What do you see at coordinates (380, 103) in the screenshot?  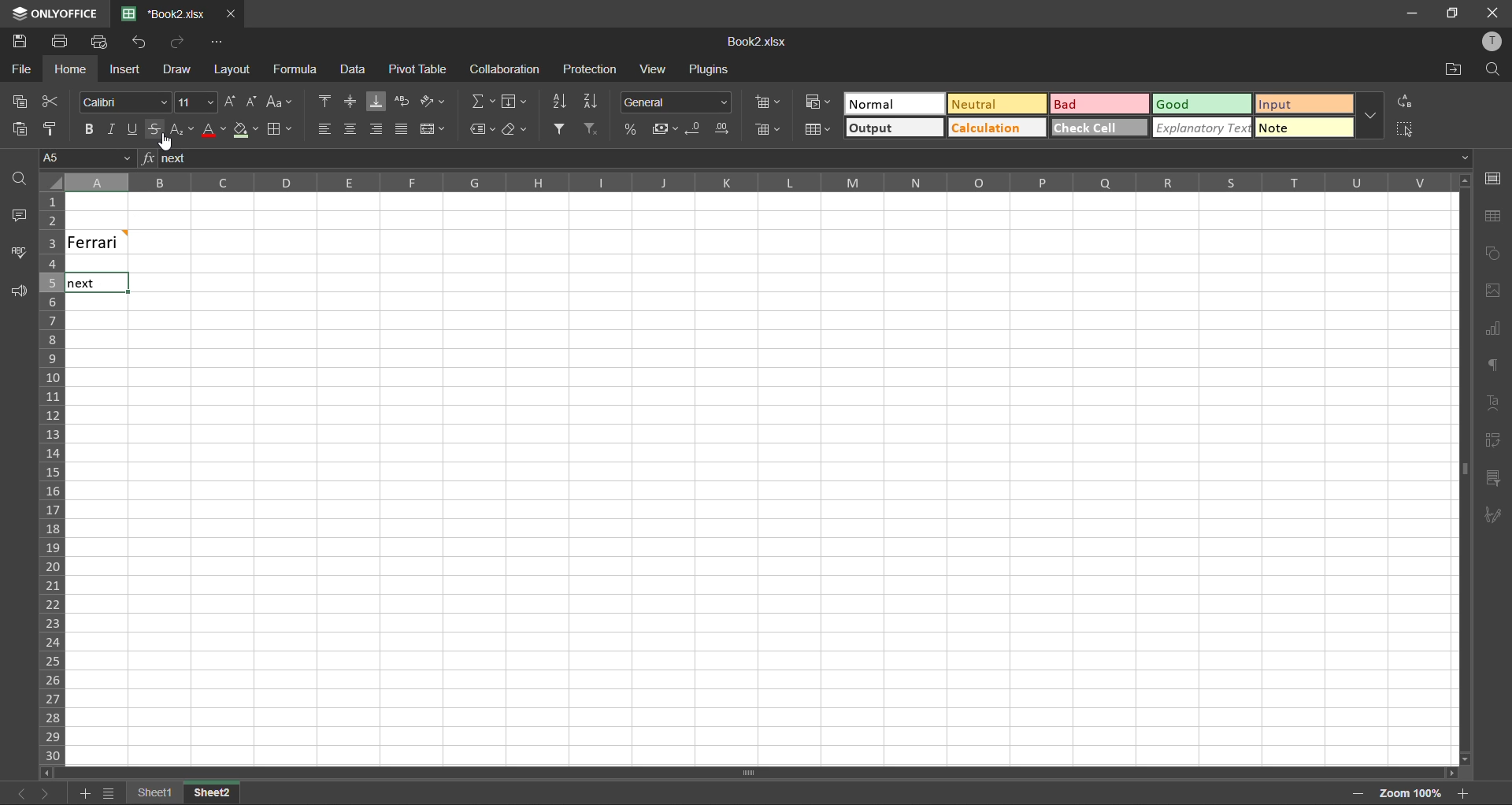 I see `align bottom` at bounding box center [380, 103].